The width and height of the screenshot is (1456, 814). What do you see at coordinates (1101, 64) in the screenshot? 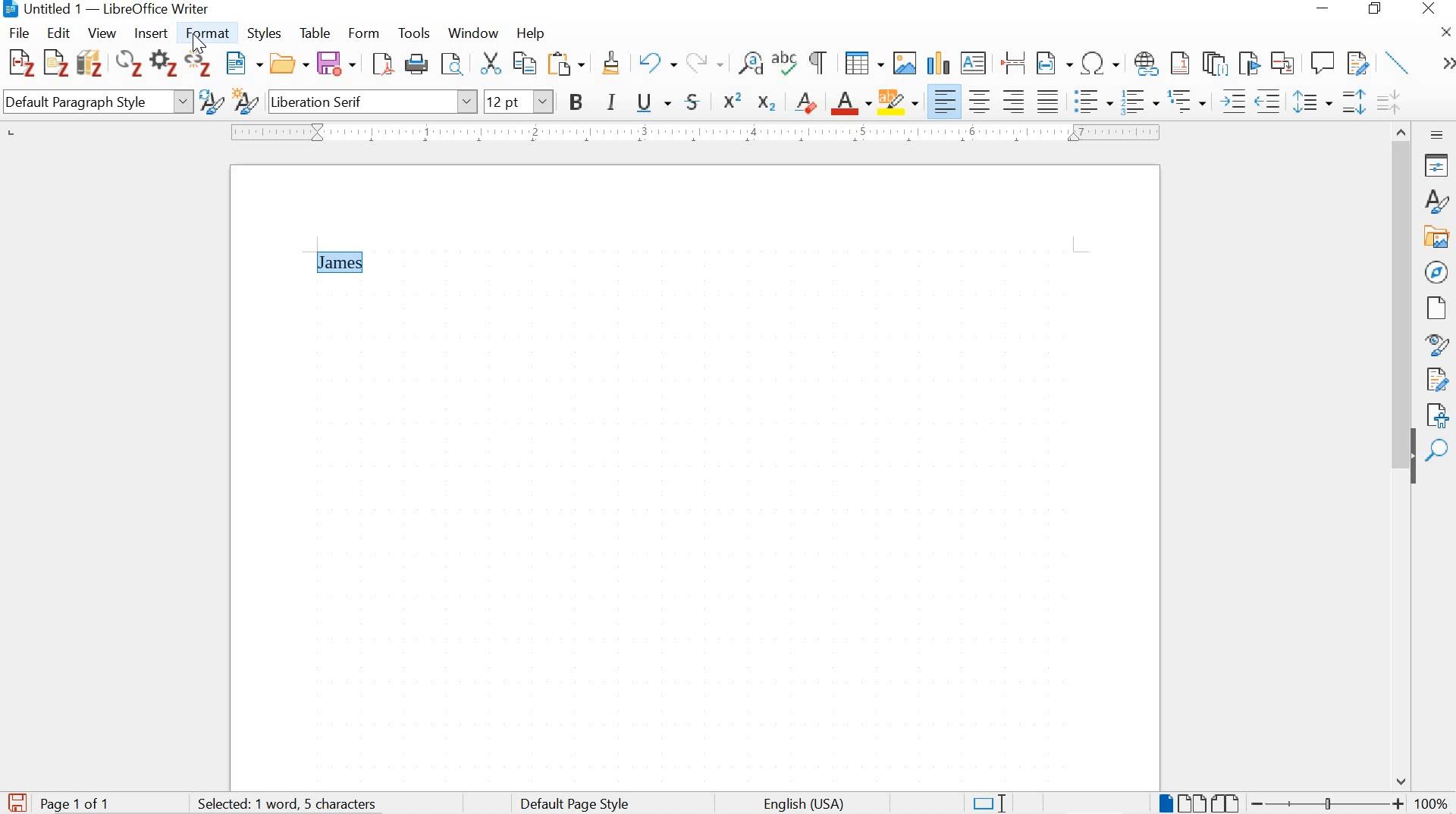
I see `insert special characters` at bounding box center [1101, 64].